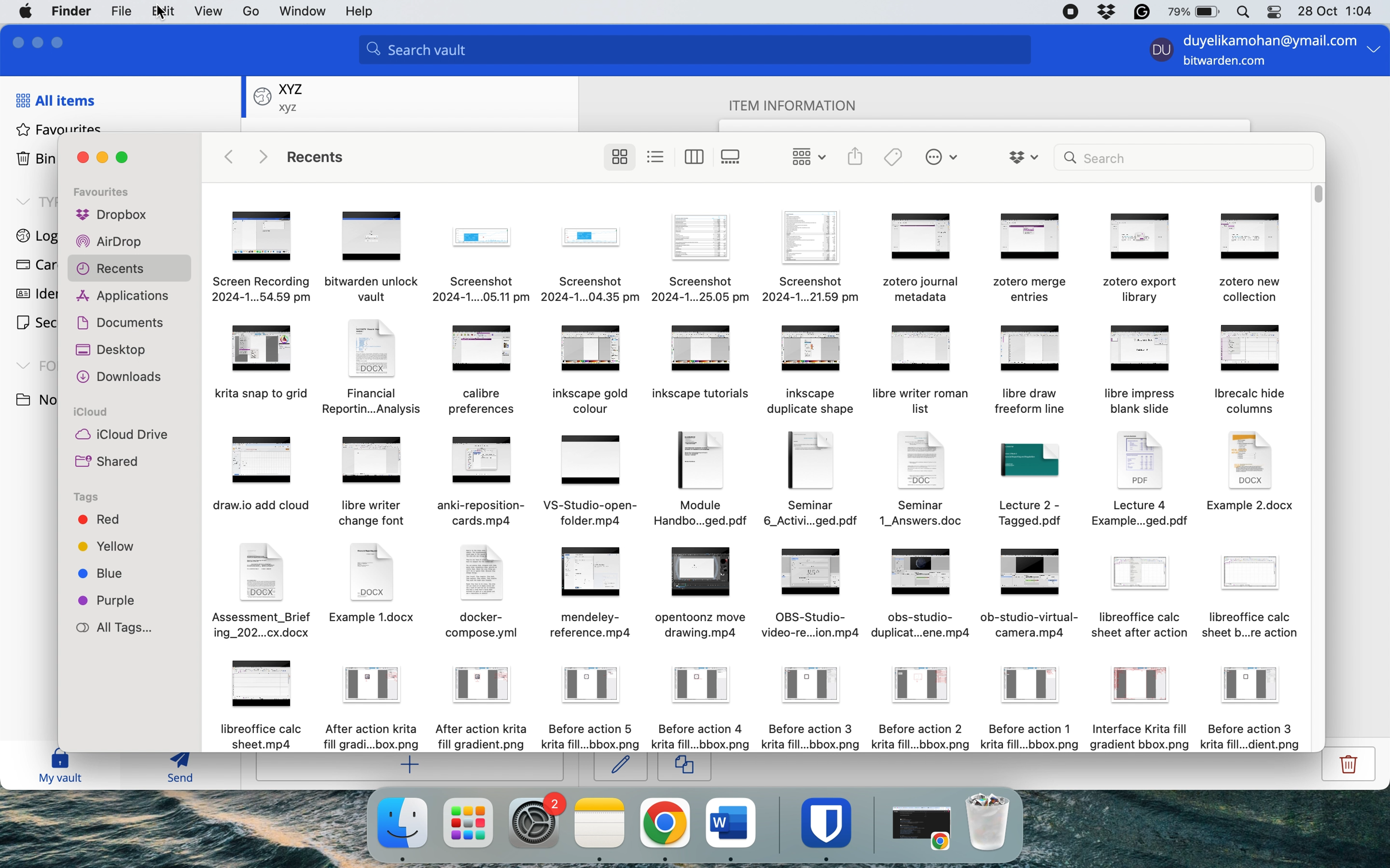 The width and height of the screenshot is (1390, 868). I want to click on system logo, so click(28, 10).